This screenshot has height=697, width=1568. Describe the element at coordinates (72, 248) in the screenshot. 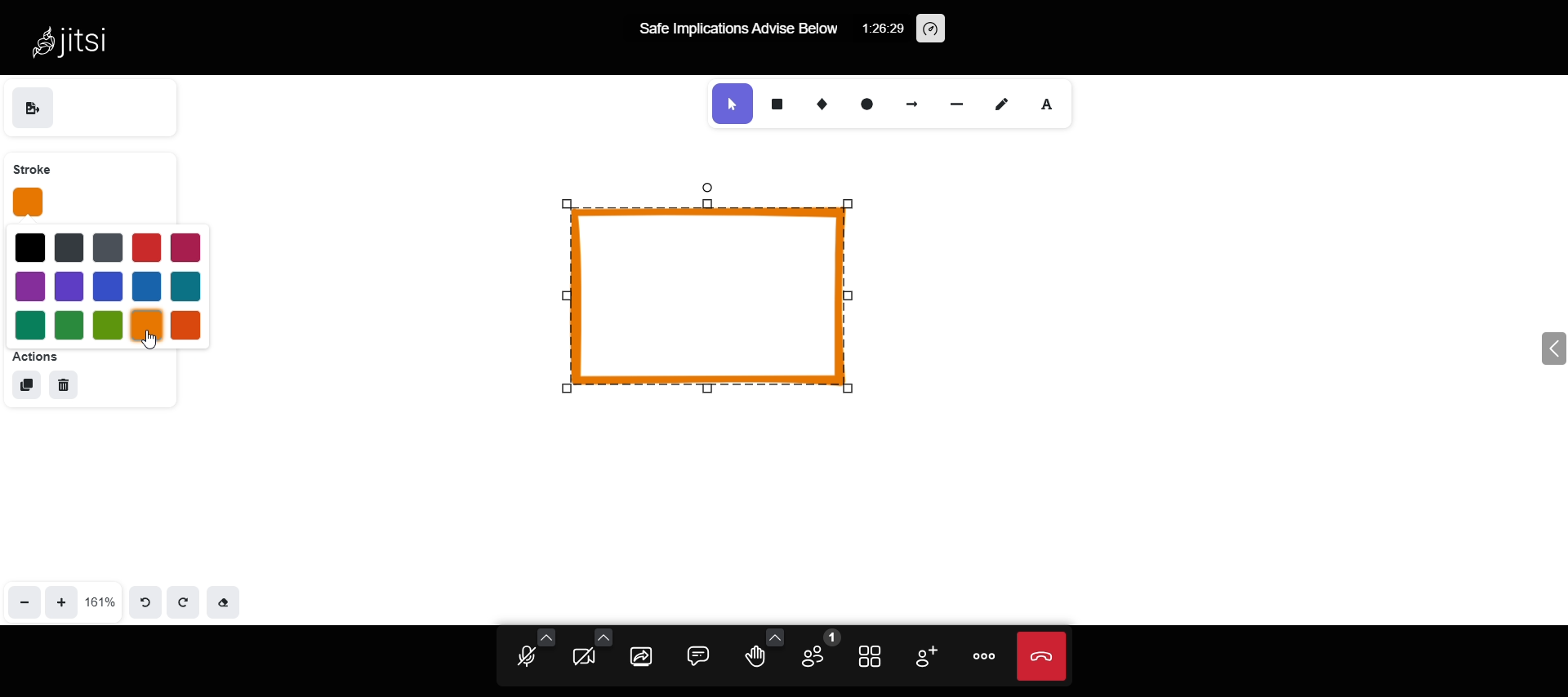

I see `blue` at that location.